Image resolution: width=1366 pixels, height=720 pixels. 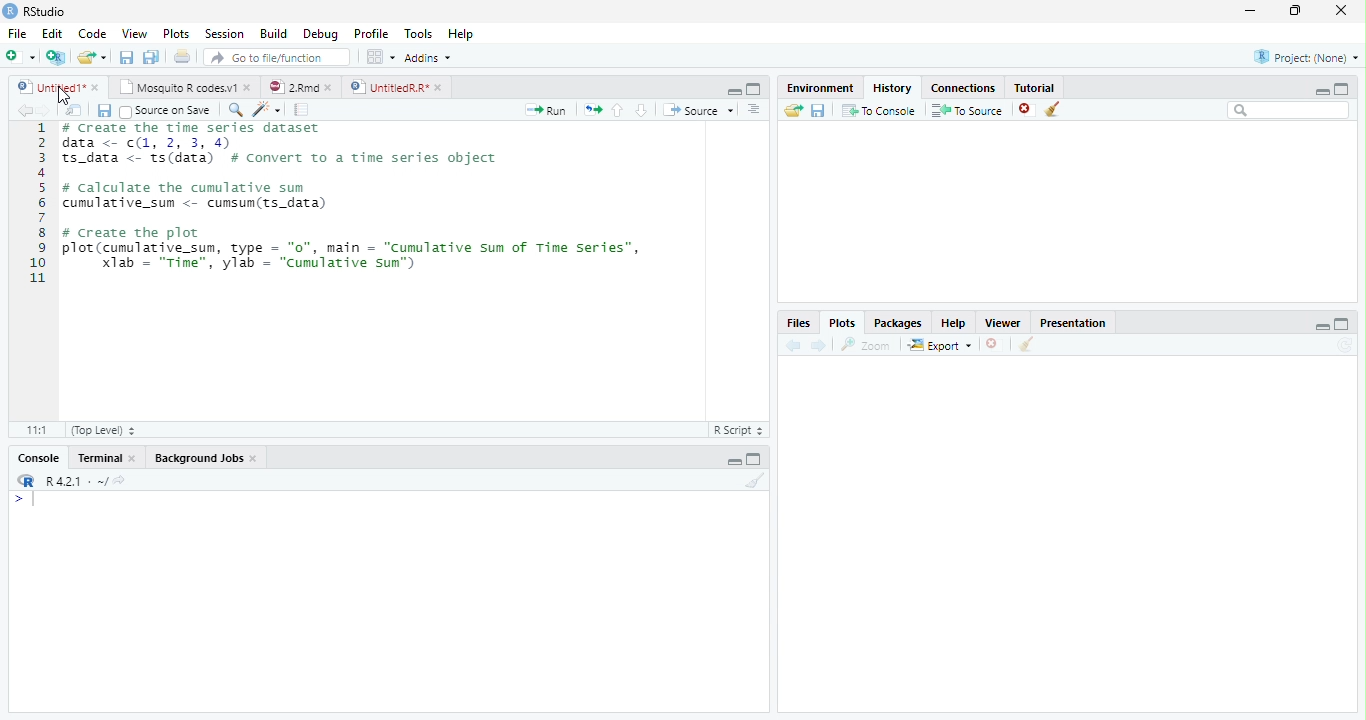 I want to click on Save, so click(x=102, y=109).